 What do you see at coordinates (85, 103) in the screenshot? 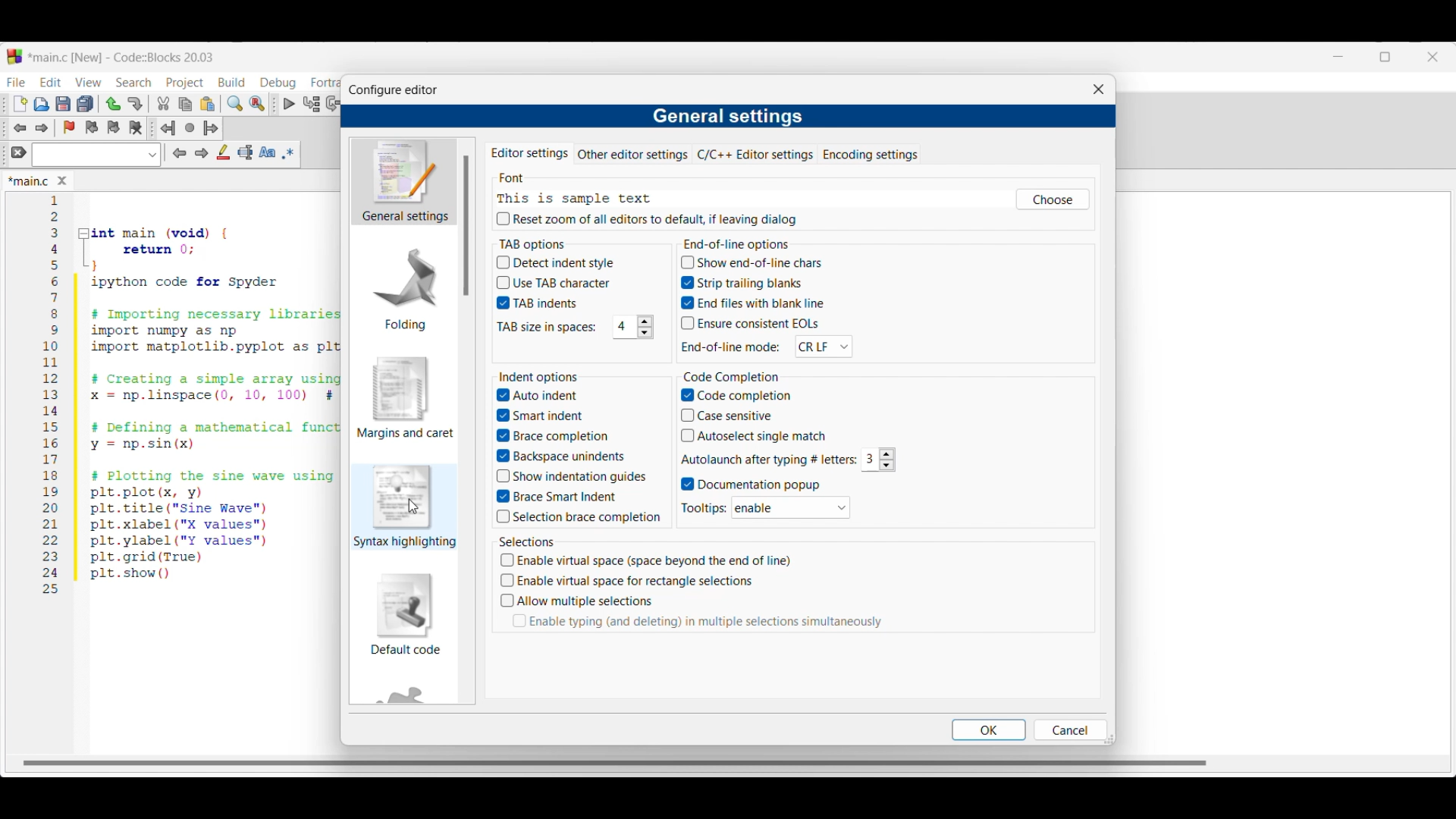
I see `Save everything` at bounding box center [85, 103].